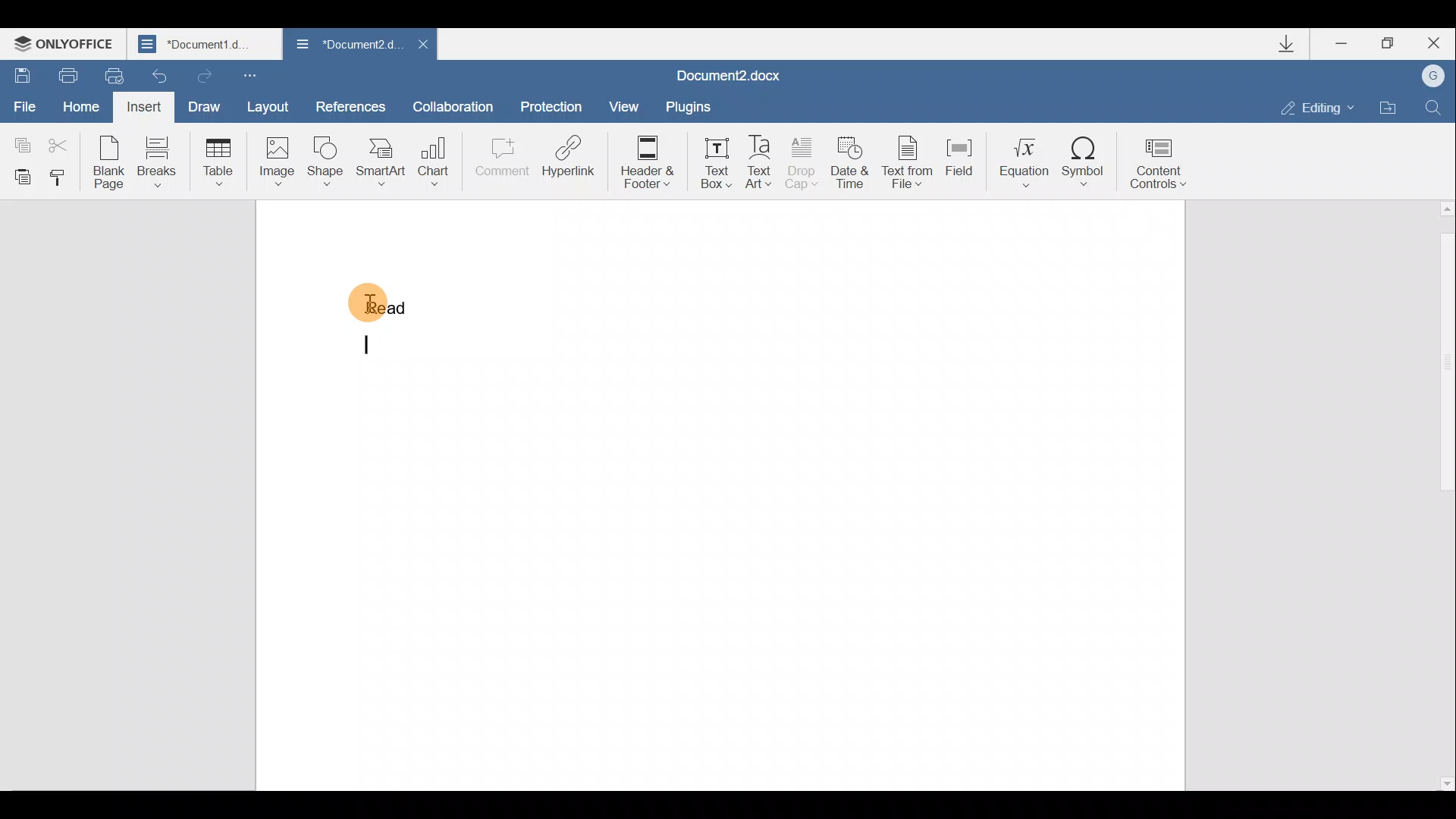 The width and height of the screenshot is (1456, 819). Describe the element at coordinates (619, 105) in the screenshot. I see `View` at that location.